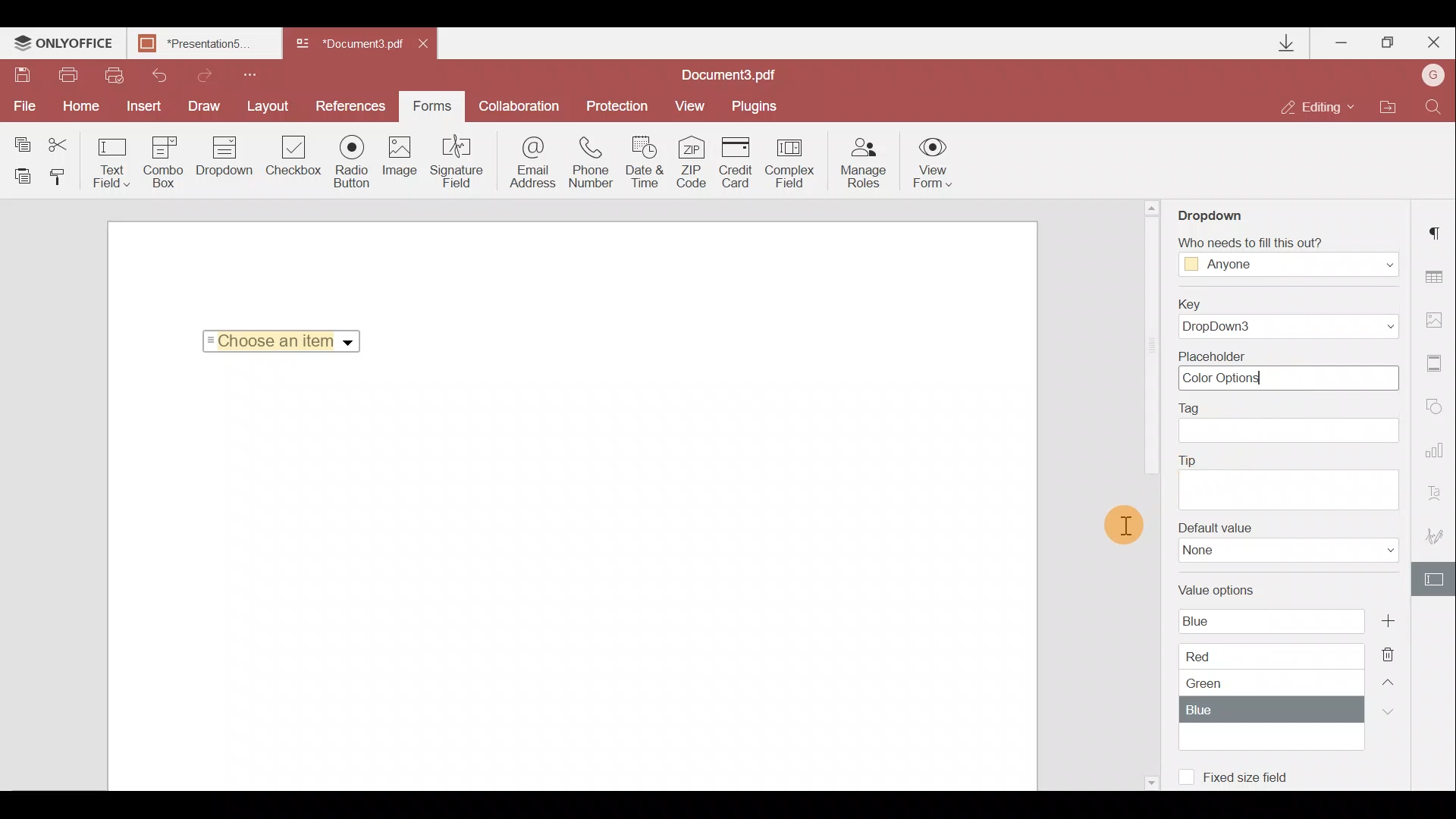 The width and height of the screenshot is (1456, 819). Describe the element at coordinates (1285, 370) in the screenshot. I see `Placeholder` at that location.